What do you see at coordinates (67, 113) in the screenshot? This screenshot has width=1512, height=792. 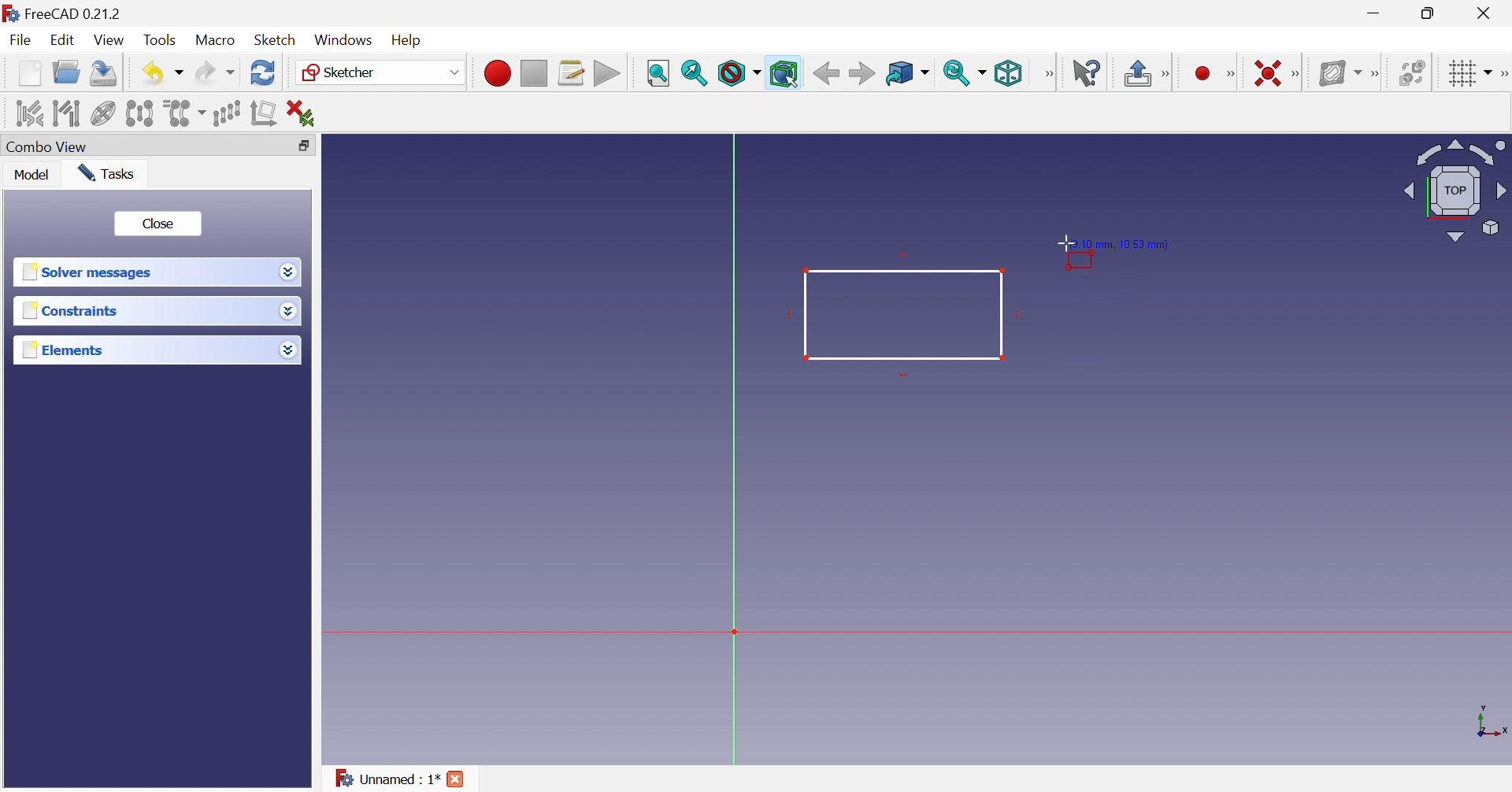 I see `Select associated geometry` at bounding box center [67, 113].